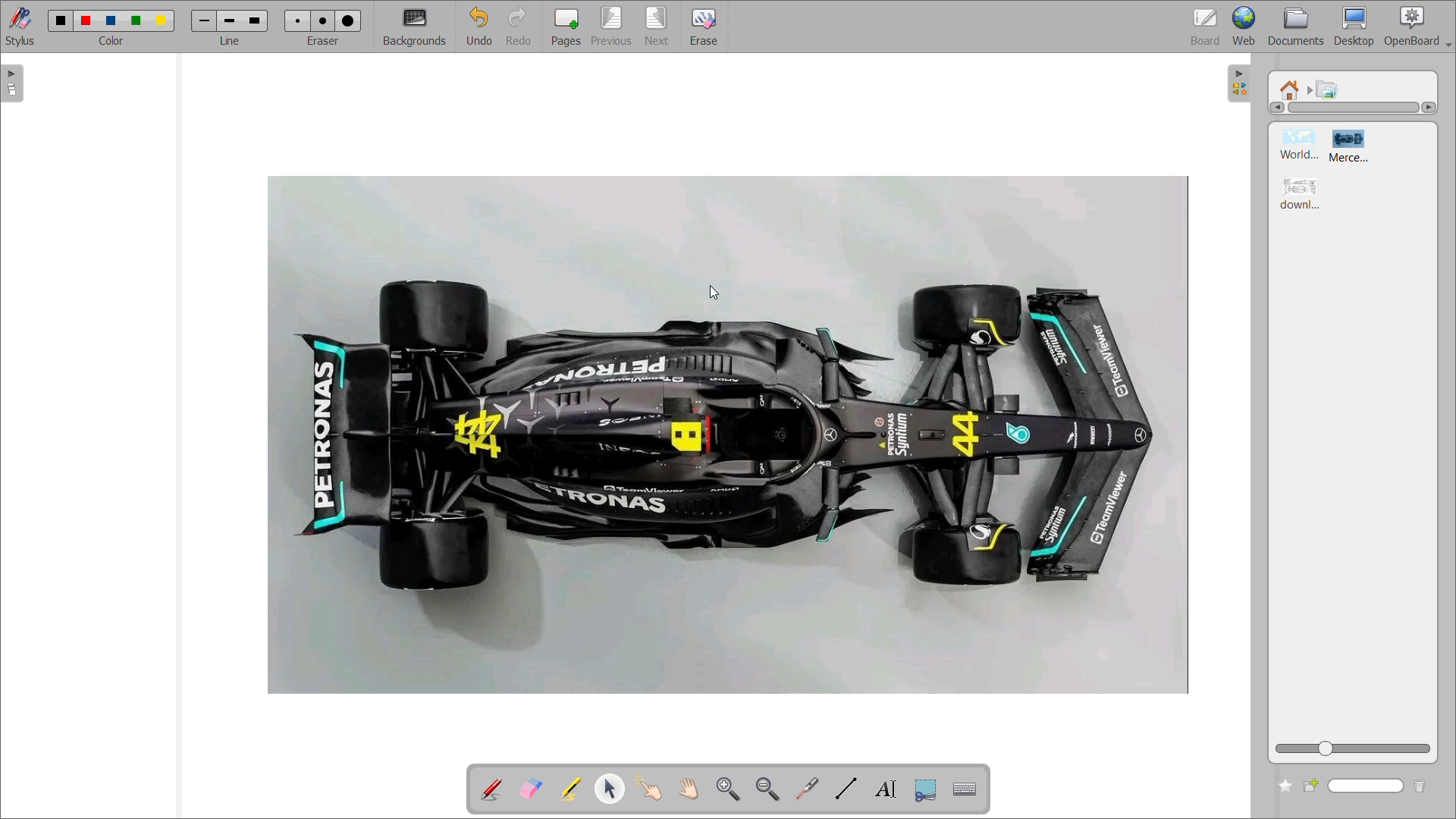 This screenshot has height=819, width=1456. Describe the element at coordinates (231, 48) in the screenshot. I see `line ` at that location.